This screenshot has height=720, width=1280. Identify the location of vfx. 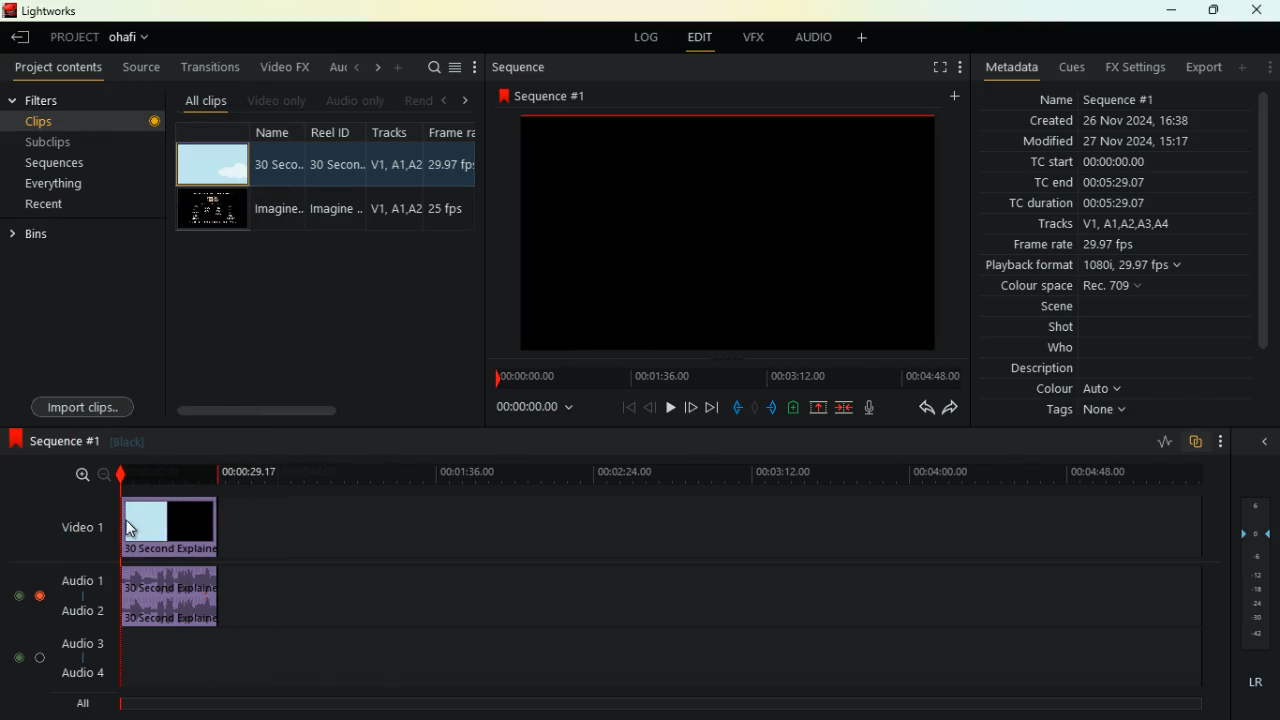
(758, 37).